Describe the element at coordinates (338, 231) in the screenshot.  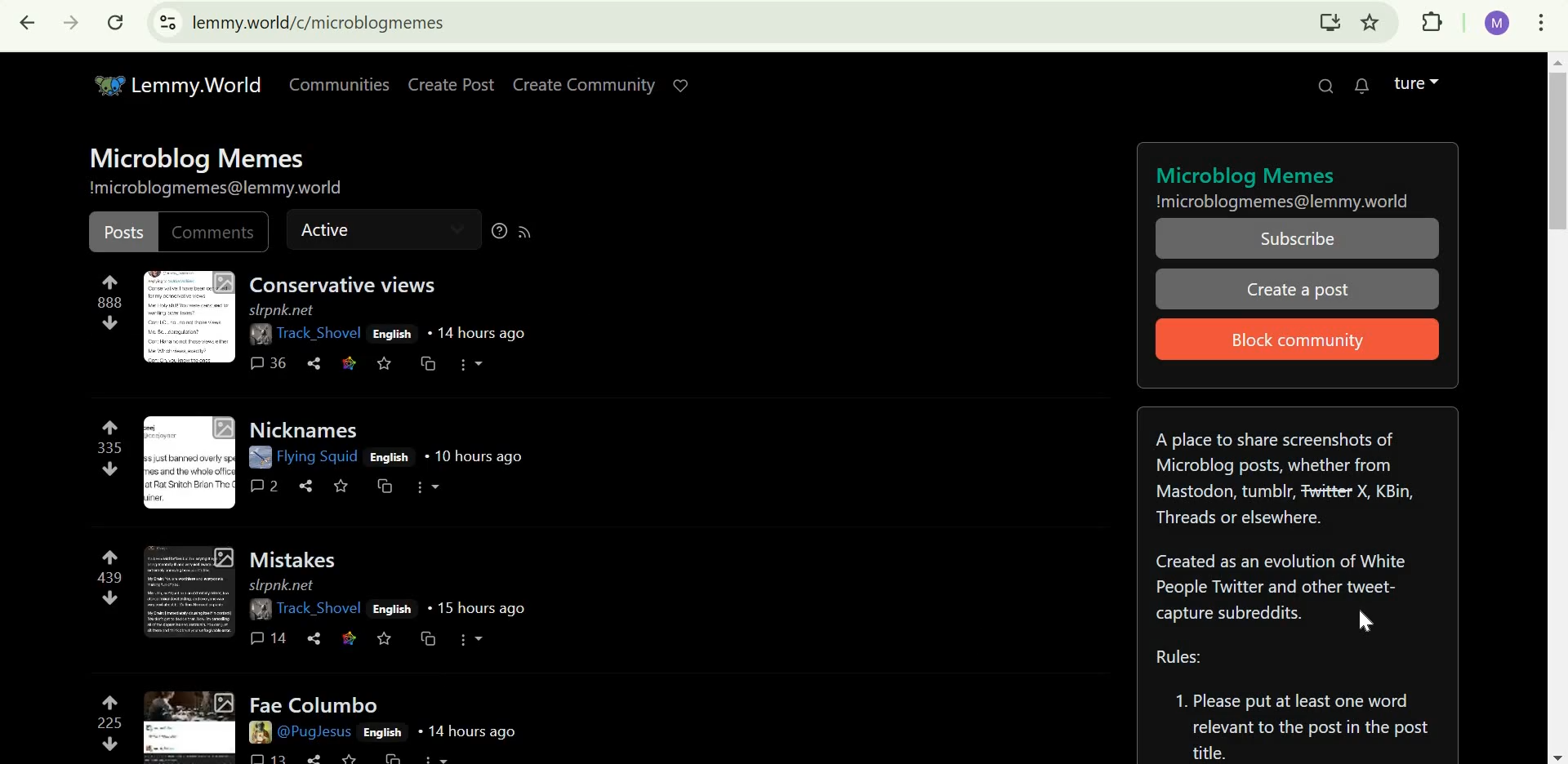
I see `Active` at that location.